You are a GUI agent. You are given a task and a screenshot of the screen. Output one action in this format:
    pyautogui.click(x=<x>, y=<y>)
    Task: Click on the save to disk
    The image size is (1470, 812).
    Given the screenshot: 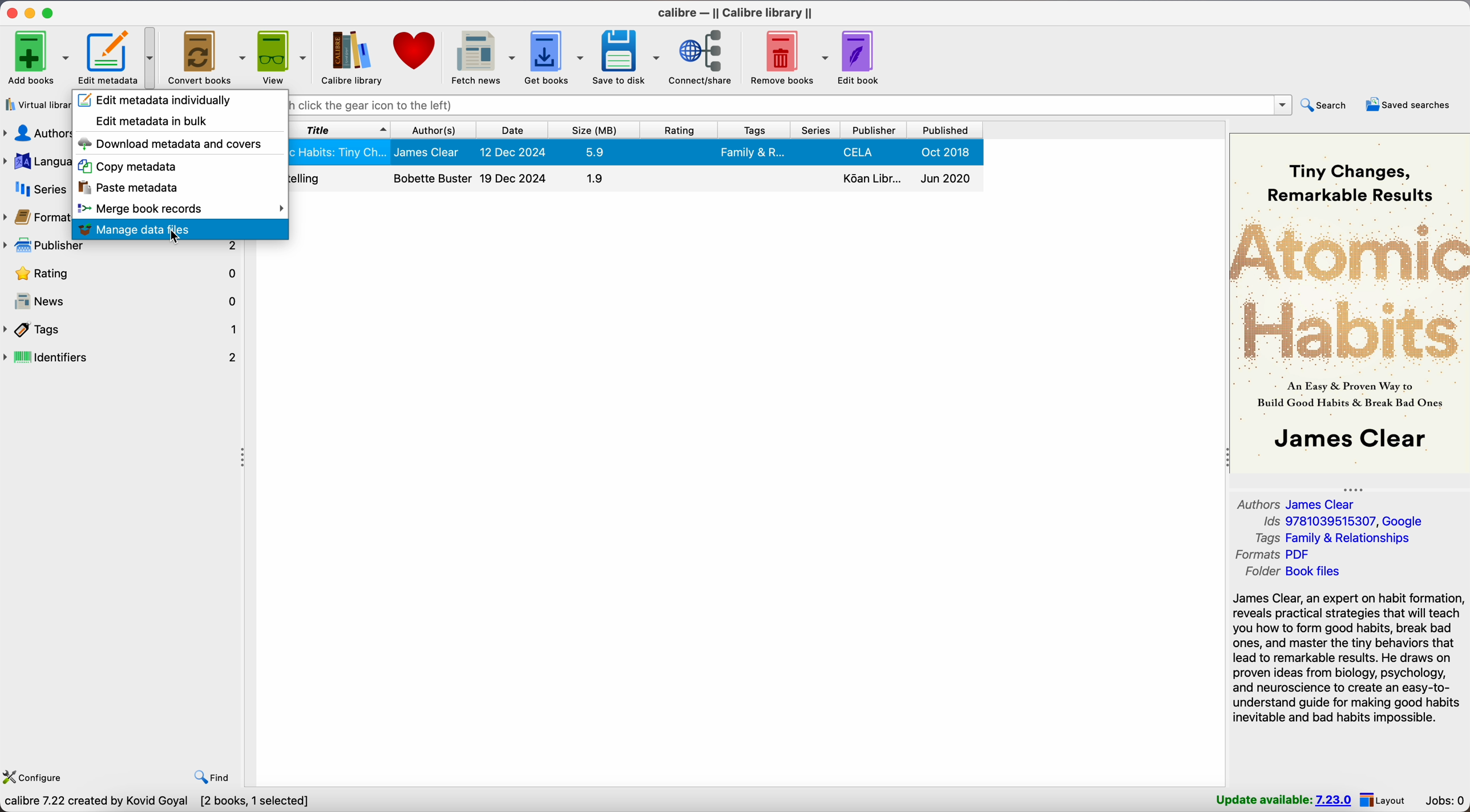 What is the action you would take?
    pyautogui.click(x=627, y=58)
    